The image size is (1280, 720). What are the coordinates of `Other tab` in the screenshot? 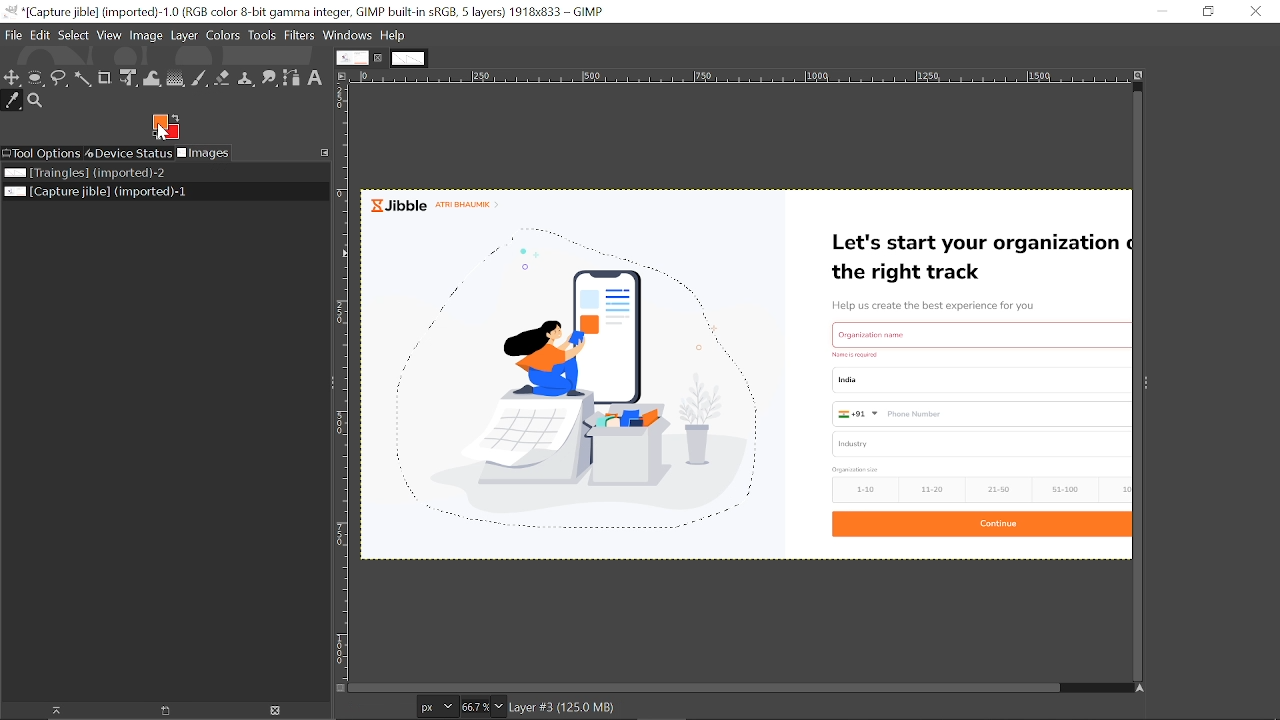 It's located at (409, 57).